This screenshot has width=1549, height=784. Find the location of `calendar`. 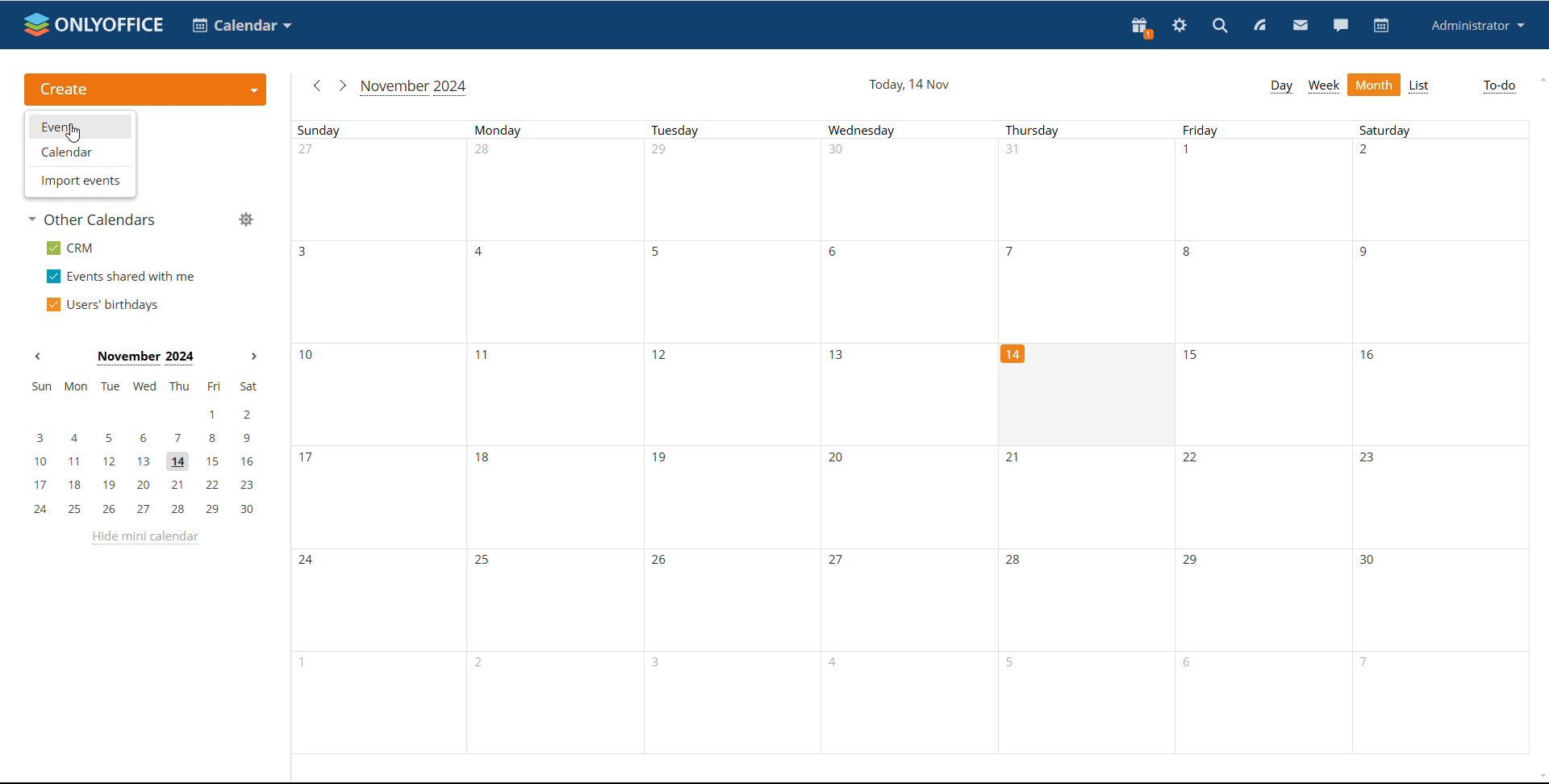

calendar is located at coordinates (81, 151).